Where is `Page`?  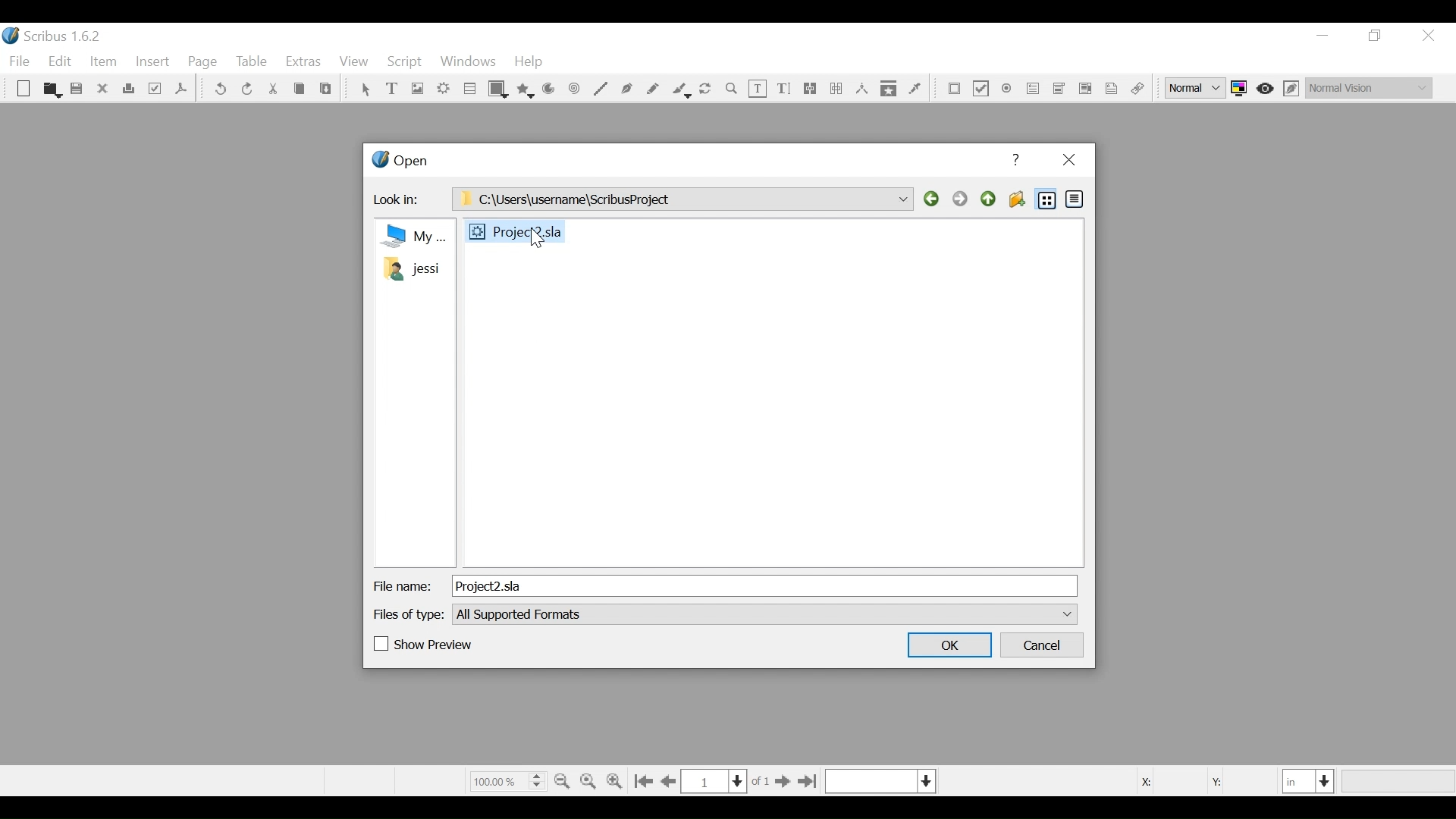 Page is located at coordinates (203, 63).